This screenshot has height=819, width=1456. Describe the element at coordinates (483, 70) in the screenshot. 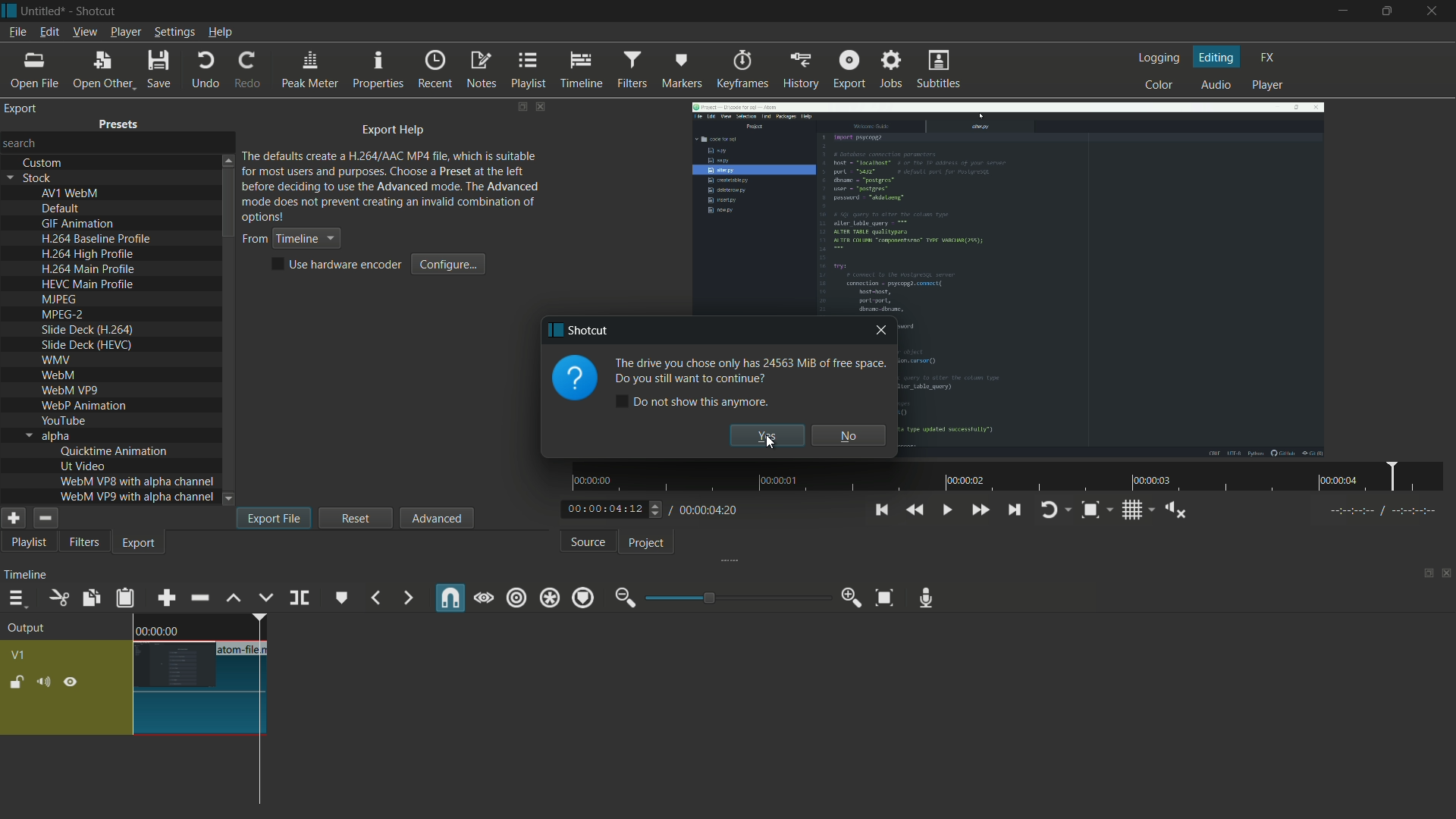

I see `notes` at that location.